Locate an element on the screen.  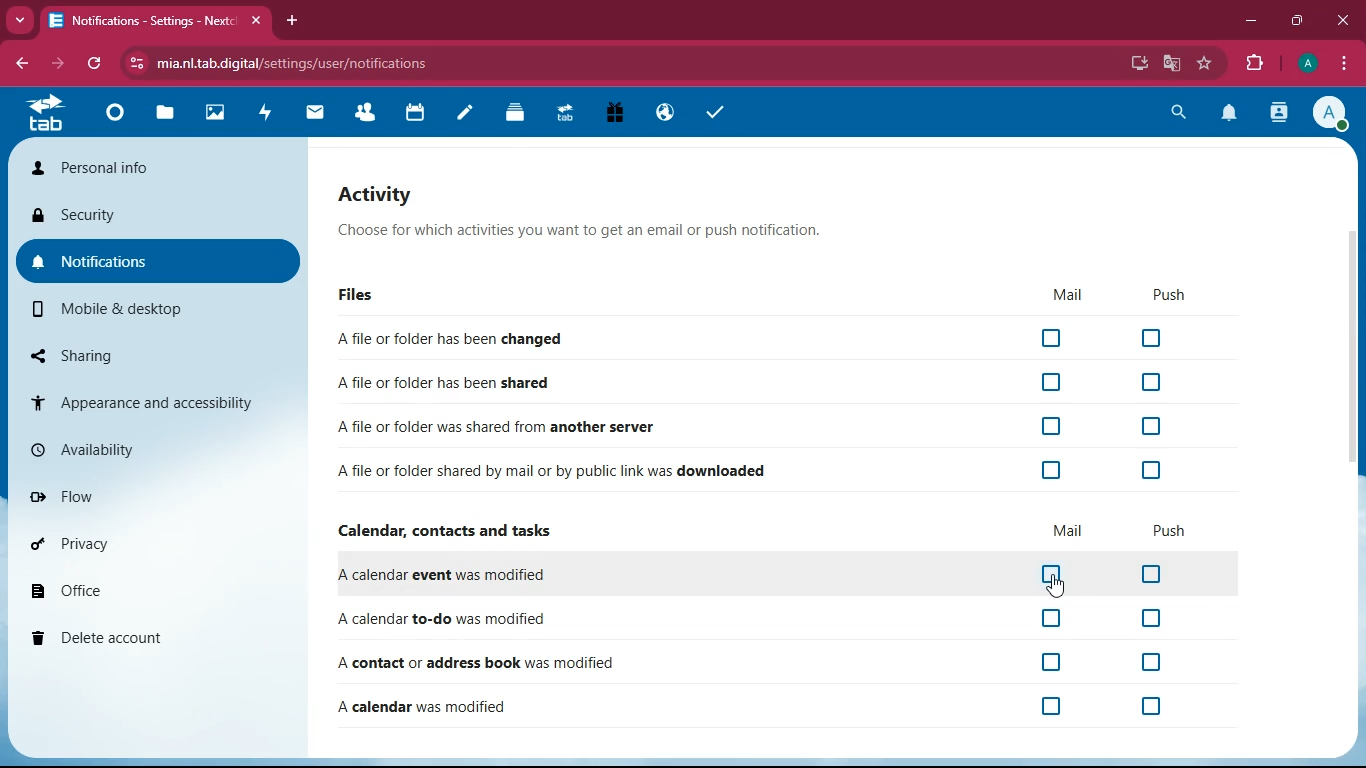
activity is located at coordinates (385, 195).